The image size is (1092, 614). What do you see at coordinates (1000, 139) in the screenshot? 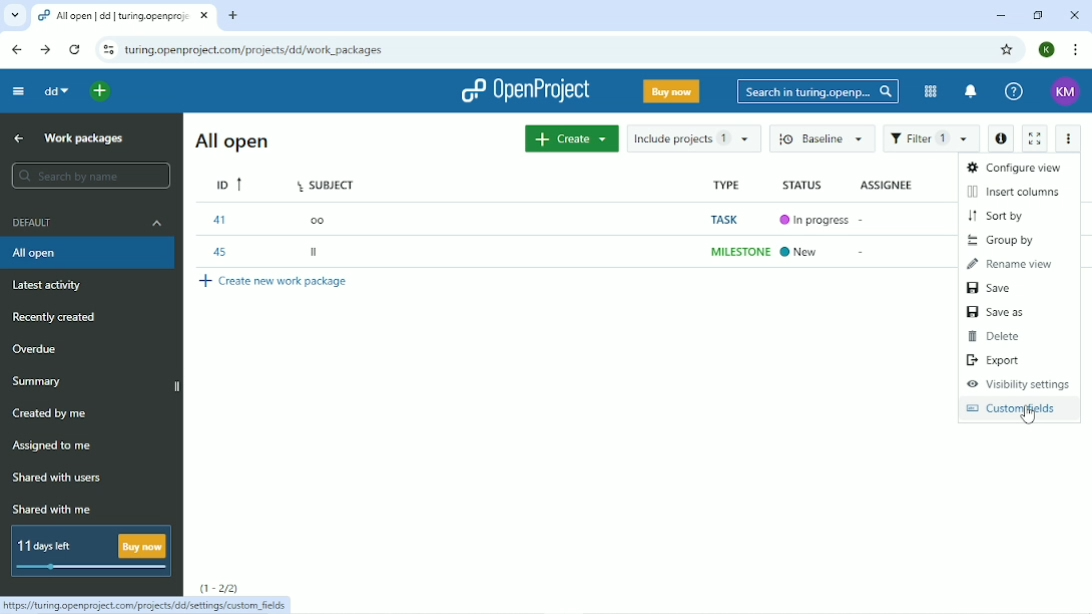
I see `Open details view` at bounding box center [1000, 139].